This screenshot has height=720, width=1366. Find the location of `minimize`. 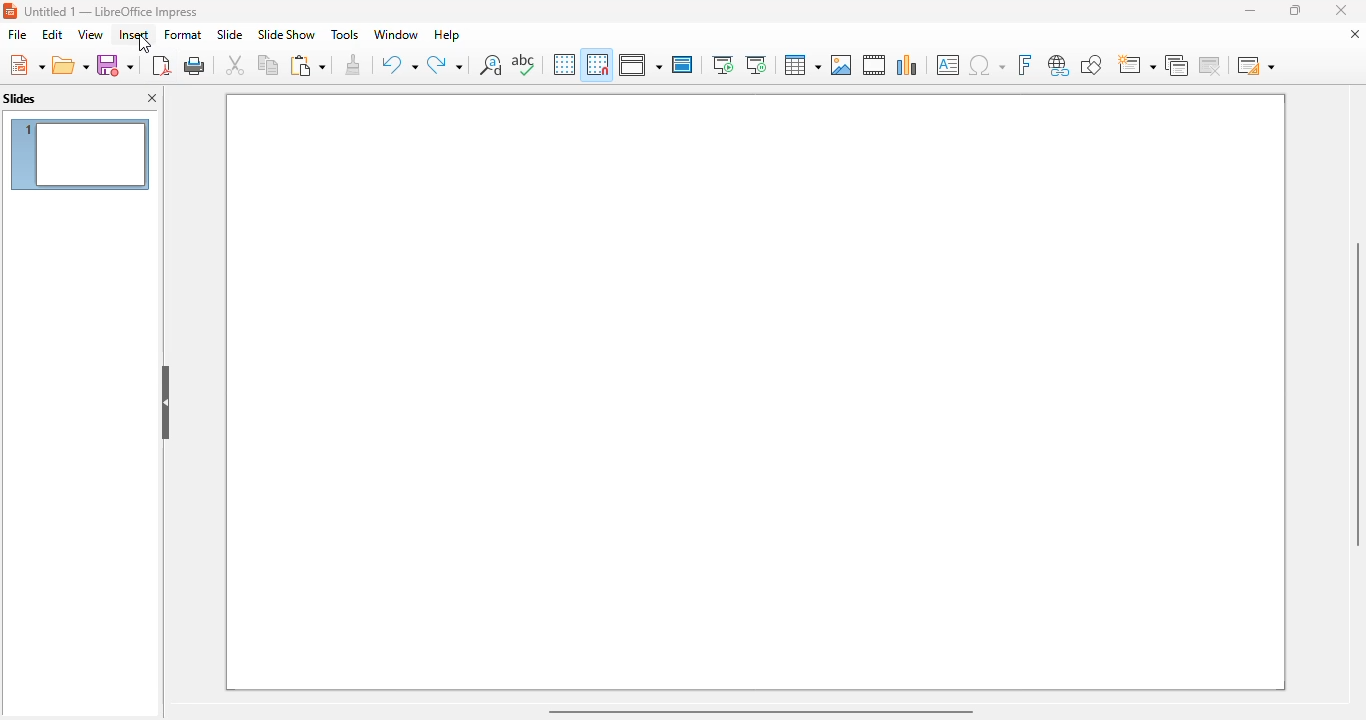

minimize is located at coordinates (1249, 10).